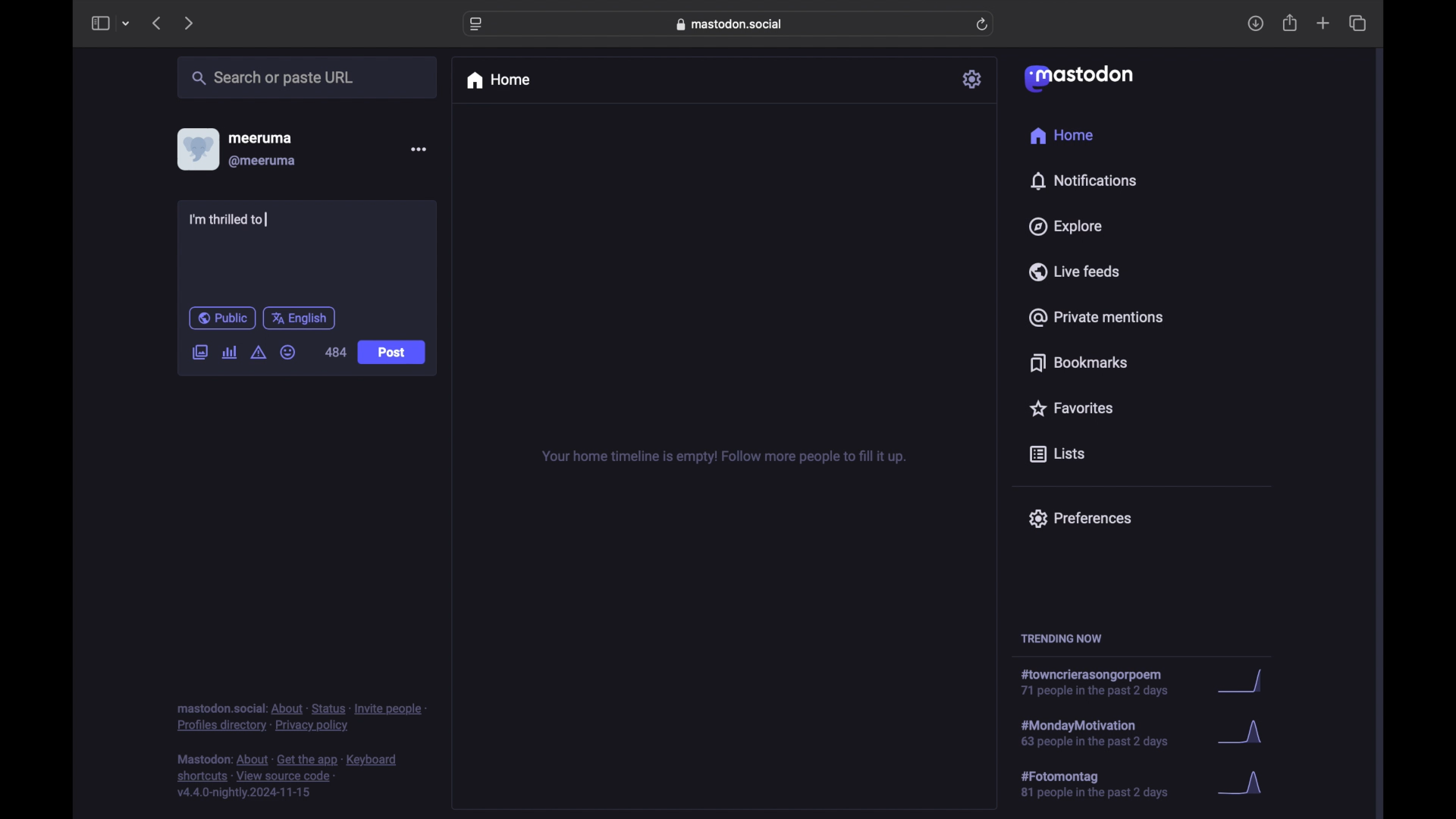 The height and width of the screenshot is (819, 1456). What do you see at coordinates (127, 23) in the screenshot?
I see `tab group picker` at bounding box center [127, 23].